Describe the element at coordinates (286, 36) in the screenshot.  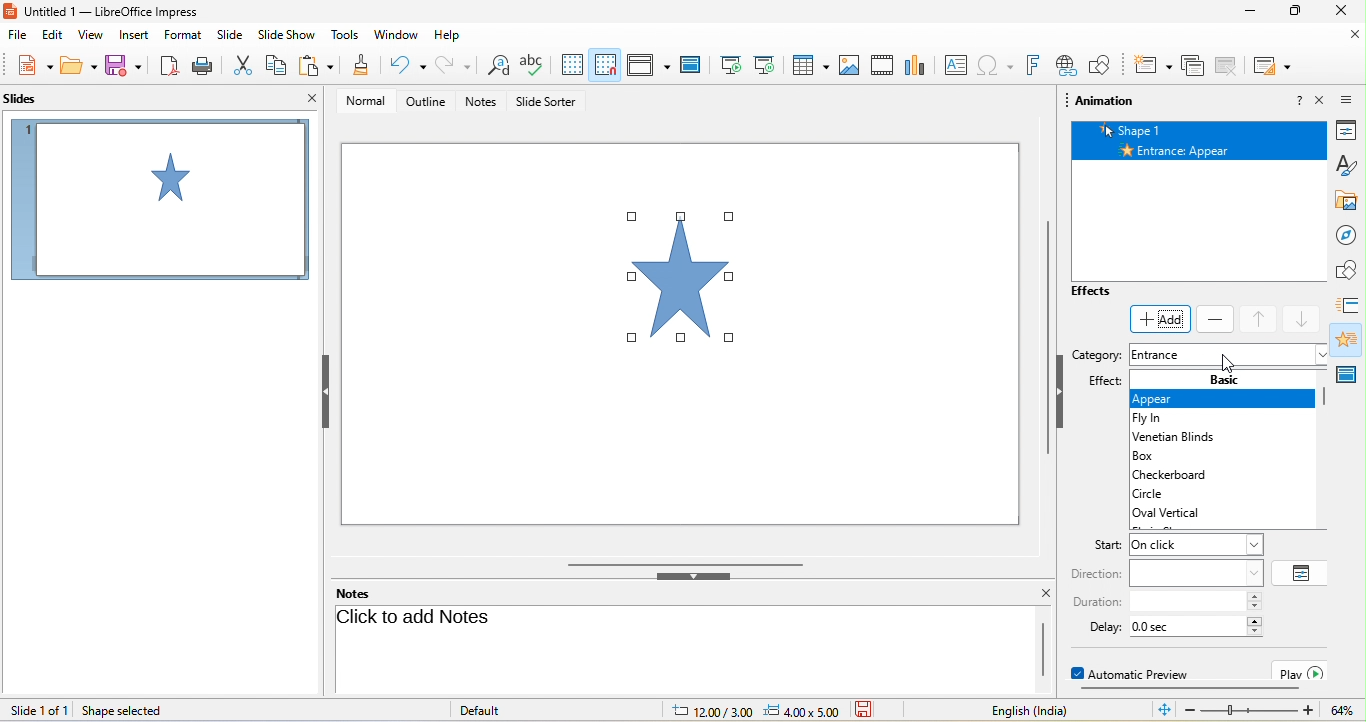
I see `slideshow` at that location.